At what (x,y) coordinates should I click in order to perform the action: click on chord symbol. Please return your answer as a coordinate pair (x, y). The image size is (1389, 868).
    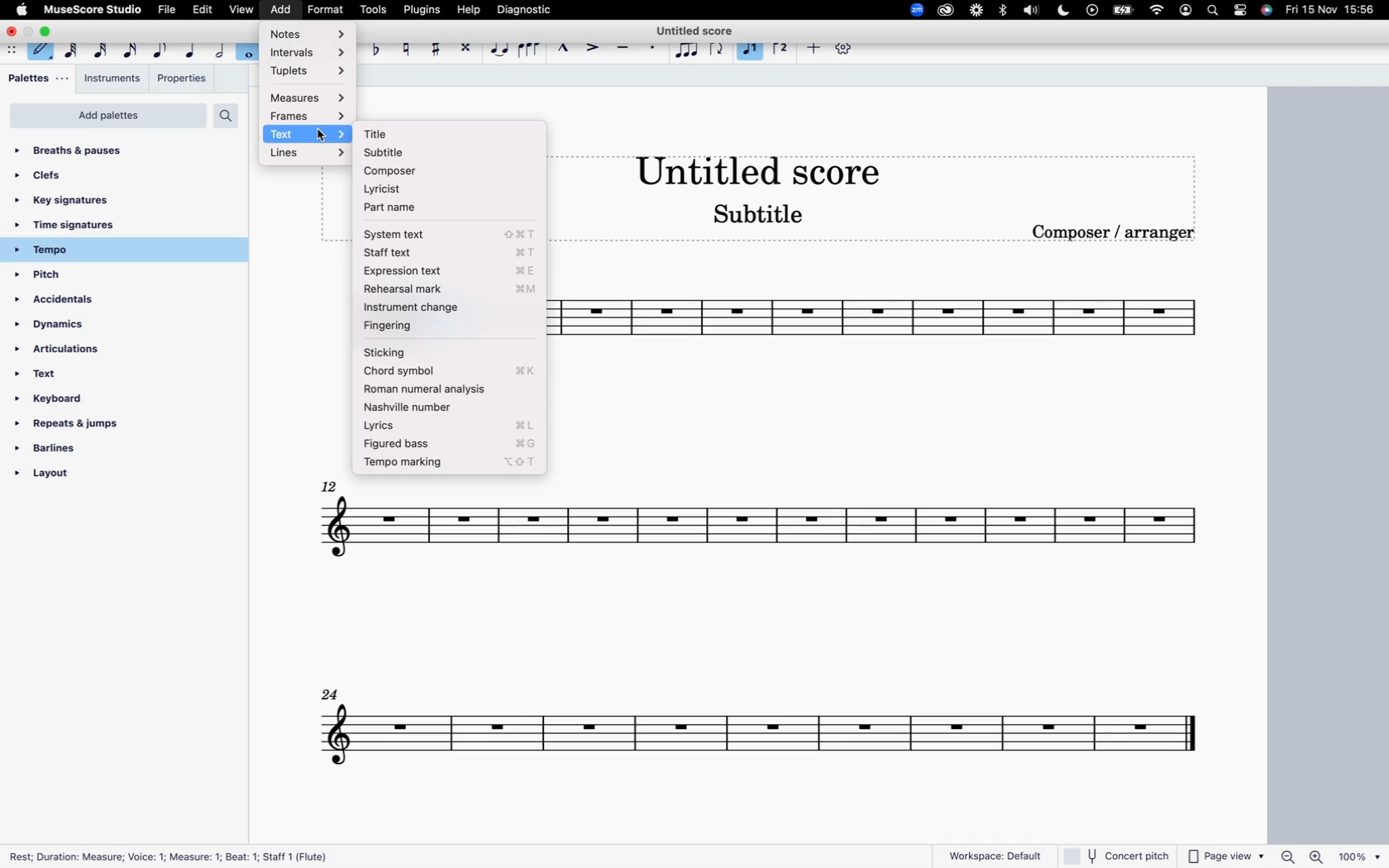
    Looking at the image, I should click on (447, 370).